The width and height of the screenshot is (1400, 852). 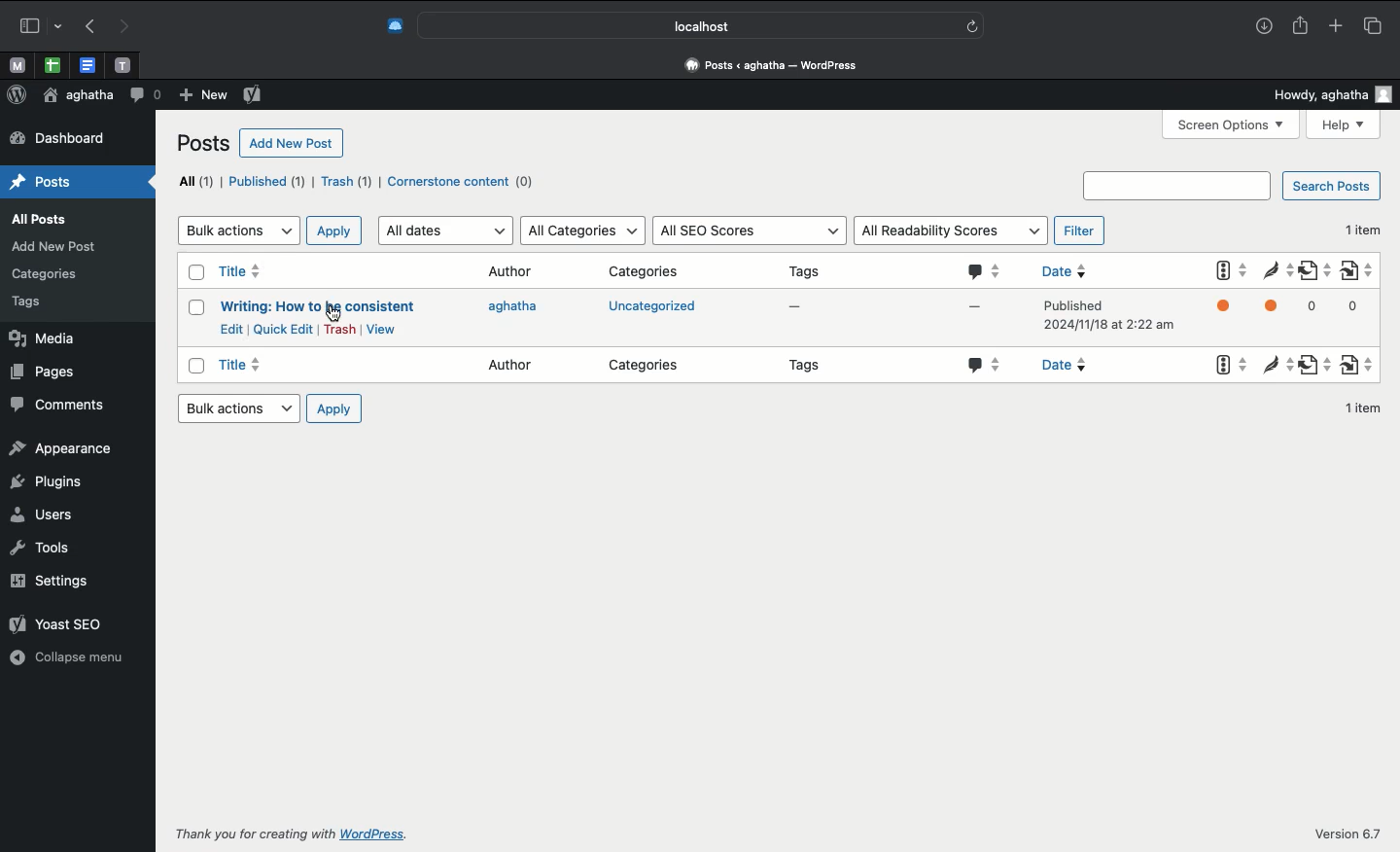 What do you see at coordinates (47, 273) in the screenshot?
I see `categories` at bounding box center [47, 273].